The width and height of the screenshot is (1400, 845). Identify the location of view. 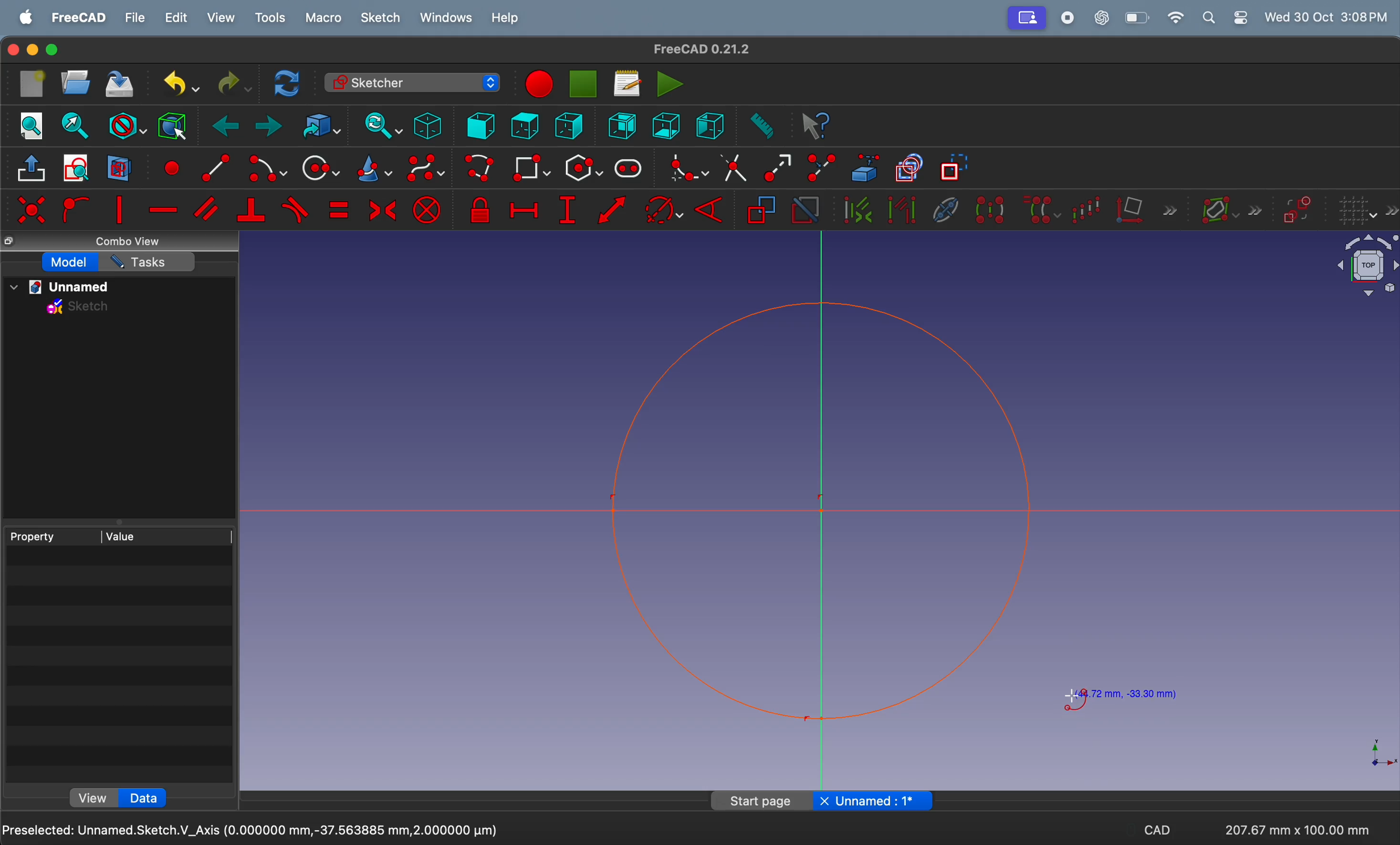
(92, 797).